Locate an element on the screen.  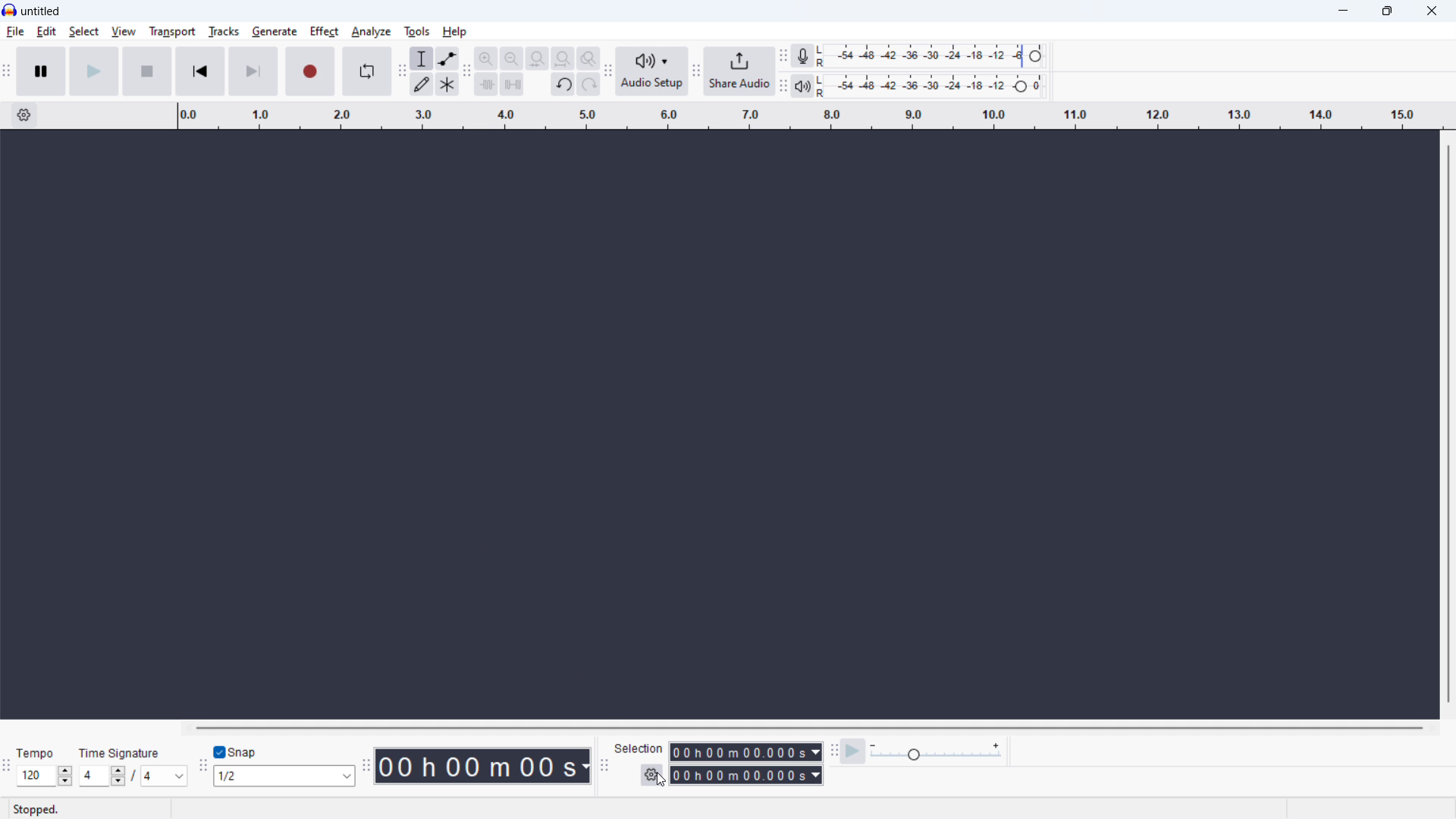
multi tool is located at coordinates (449, 85).